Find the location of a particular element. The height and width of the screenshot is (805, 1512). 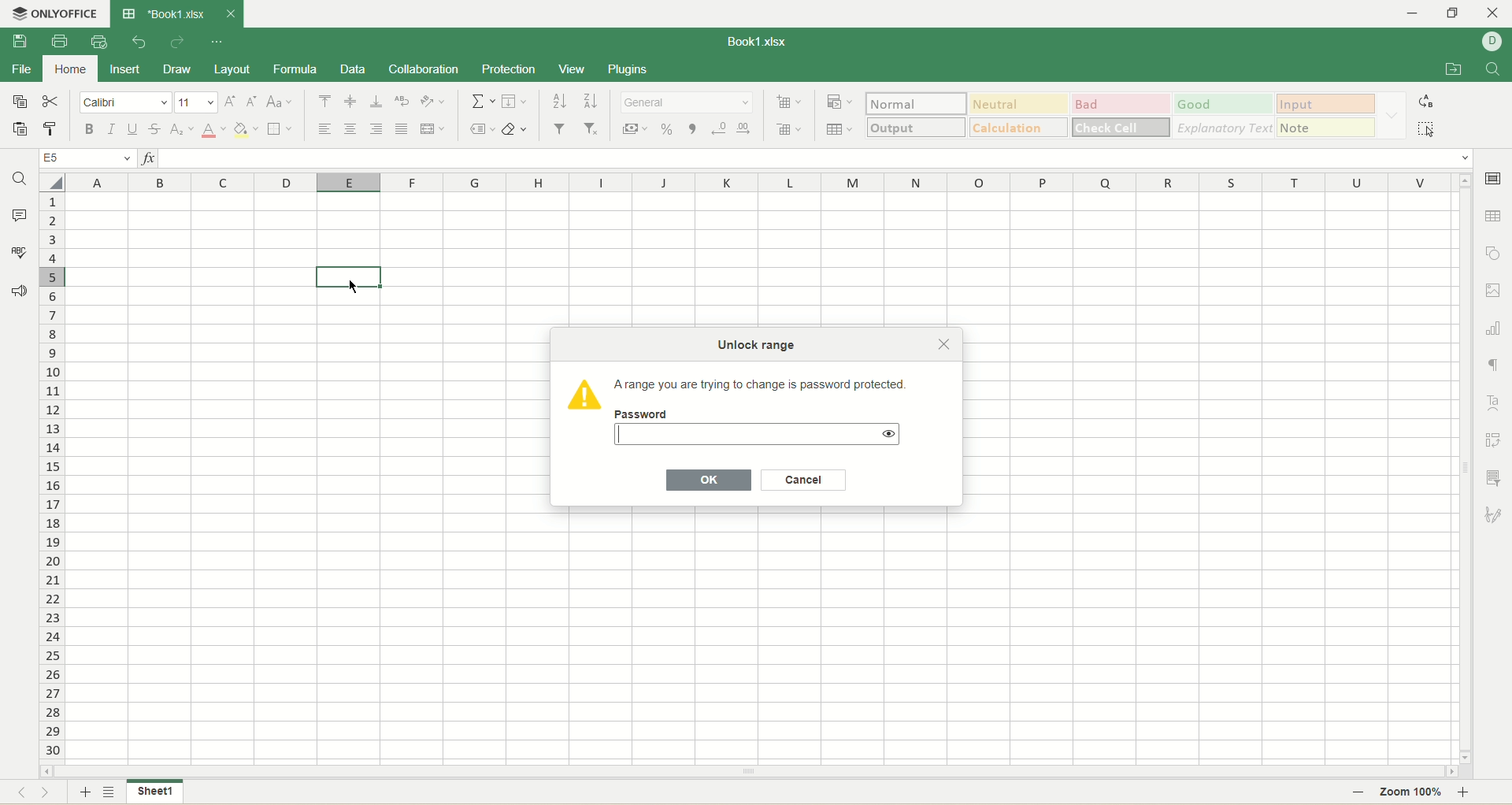

currency style is located at coordinates (638, 131).